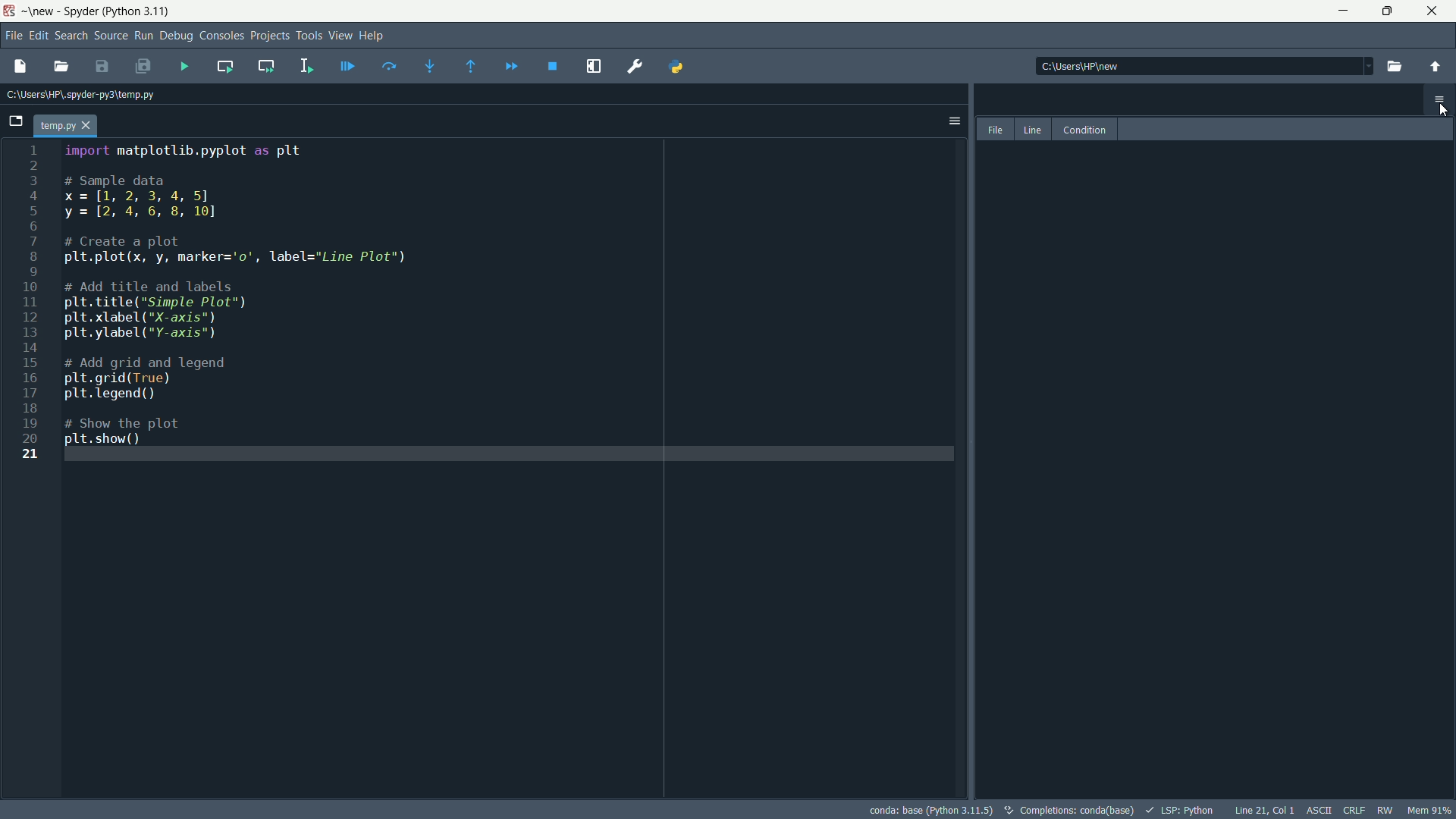 This screenshot has height=819, width=1456. I want to click on step into function, so click(425, 66).